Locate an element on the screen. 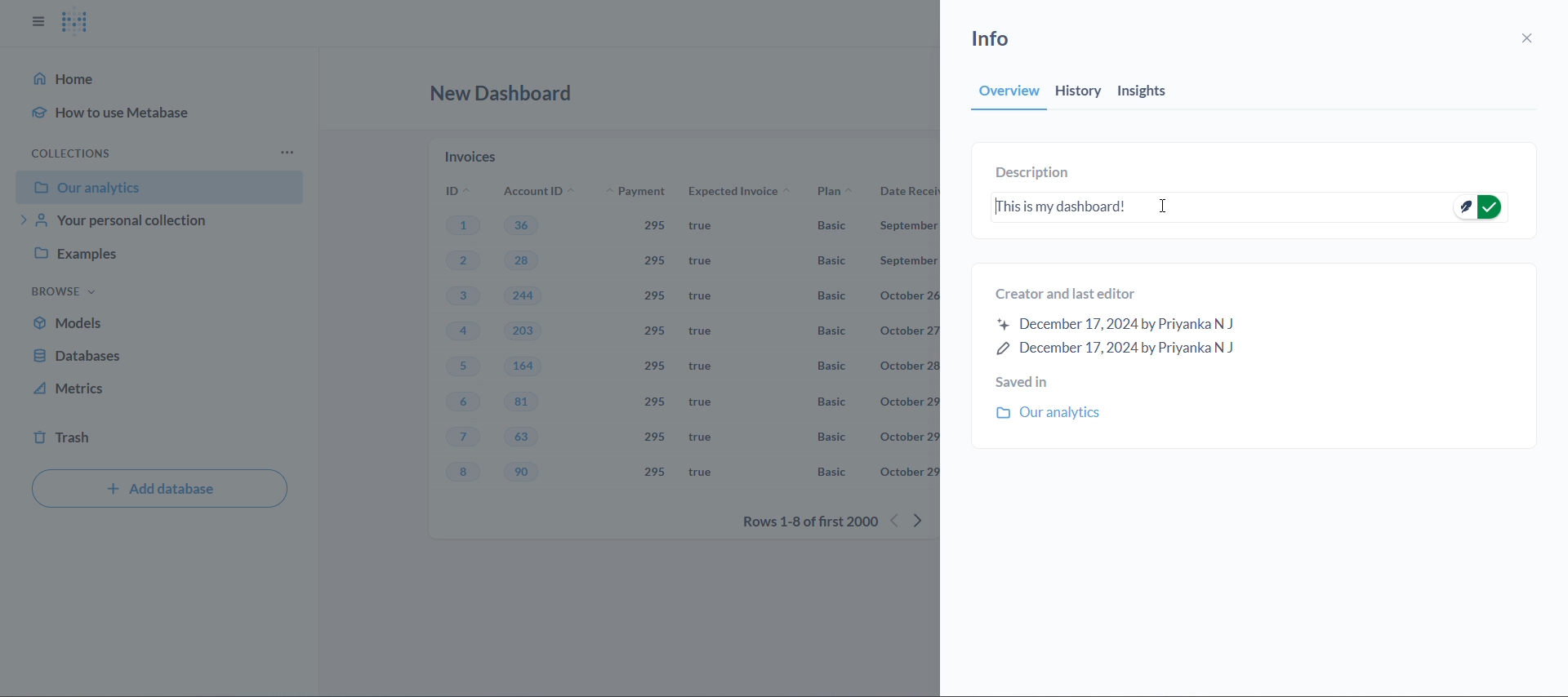 The image size is (1568, 697). invoices is located at coordinates (473, 154).